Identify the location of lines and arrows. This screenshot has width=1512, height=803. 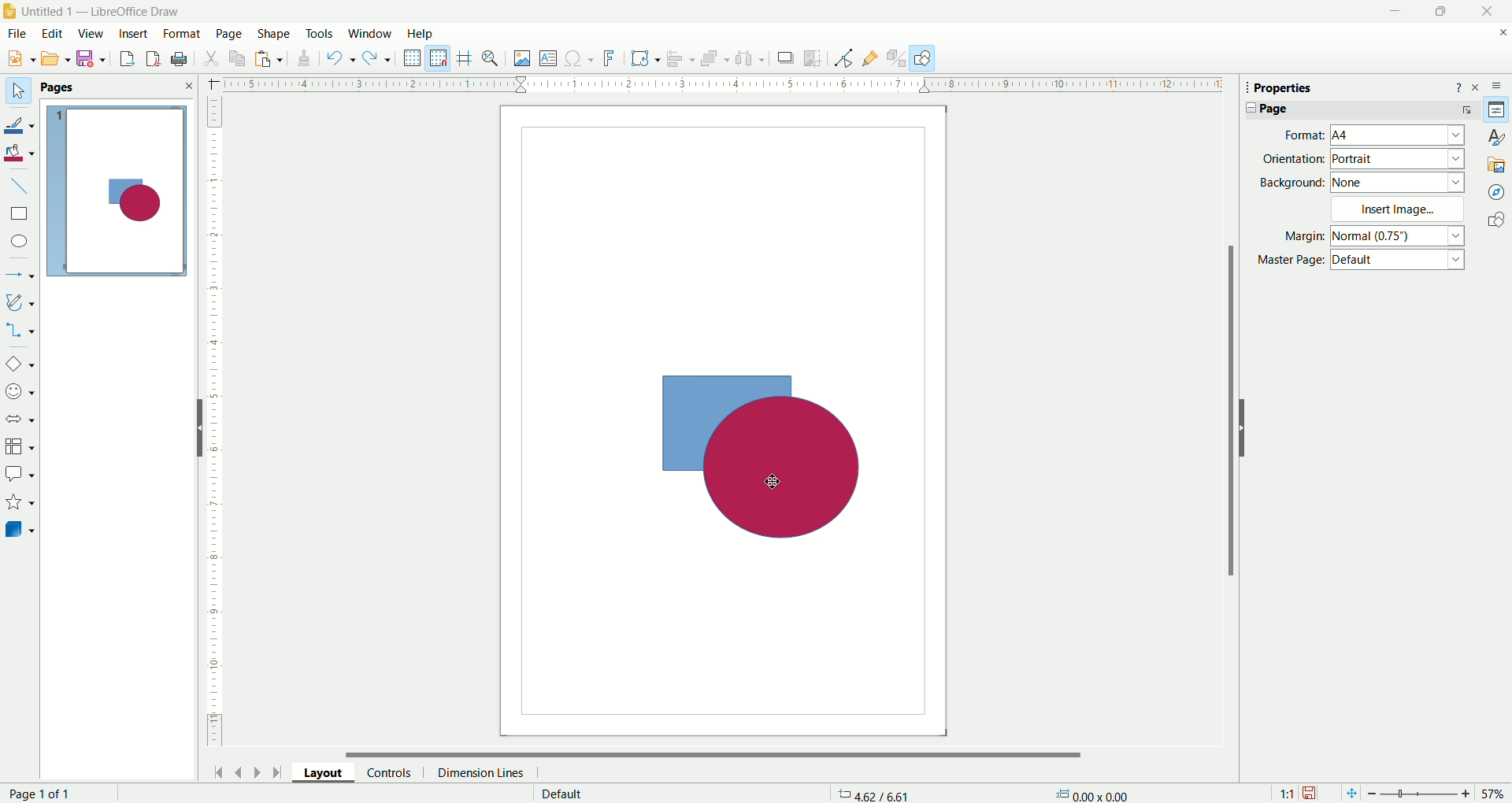
(21, 272).